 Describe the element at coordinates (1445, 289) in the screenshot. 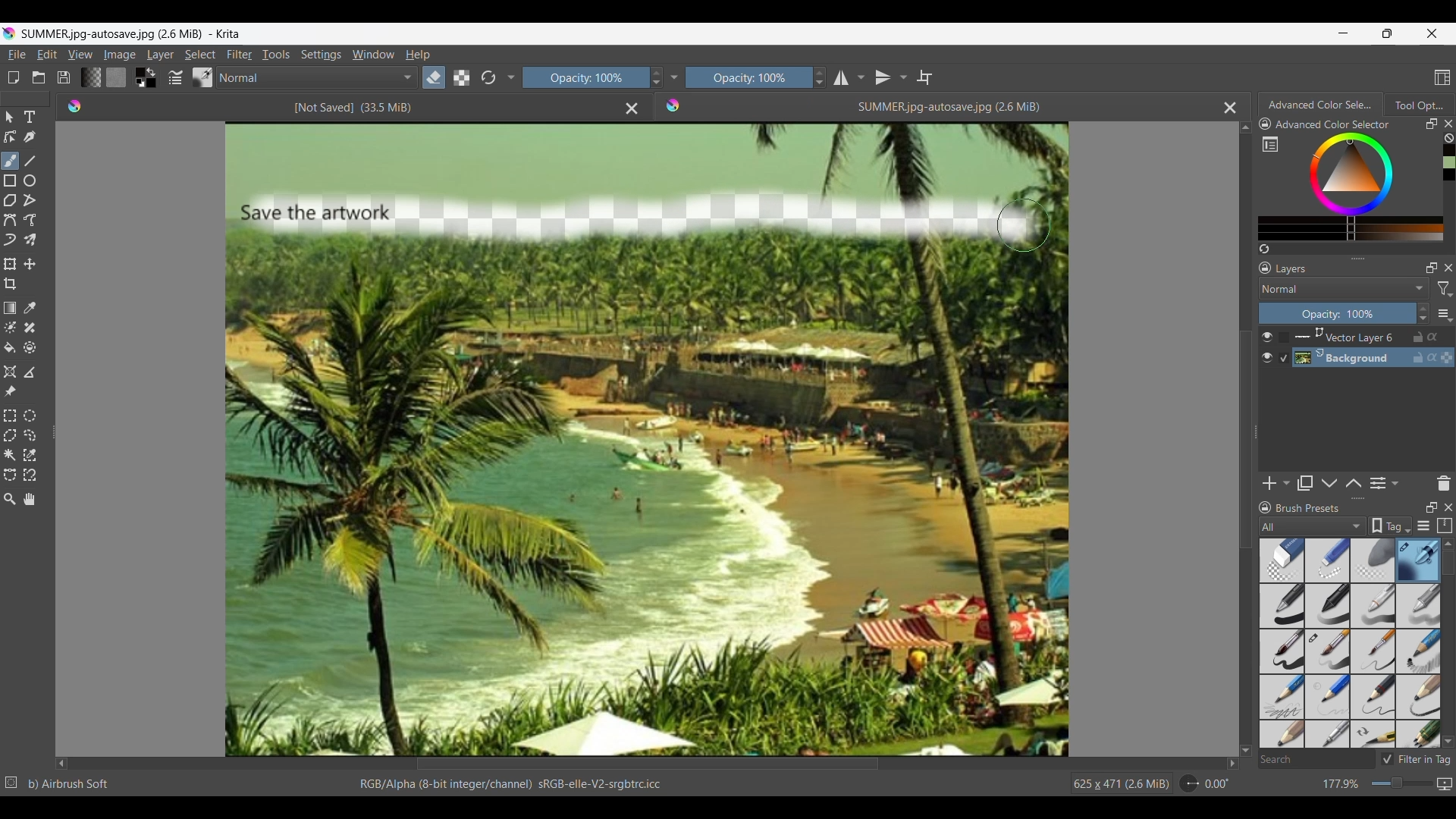

I see `Filter options` at that location.